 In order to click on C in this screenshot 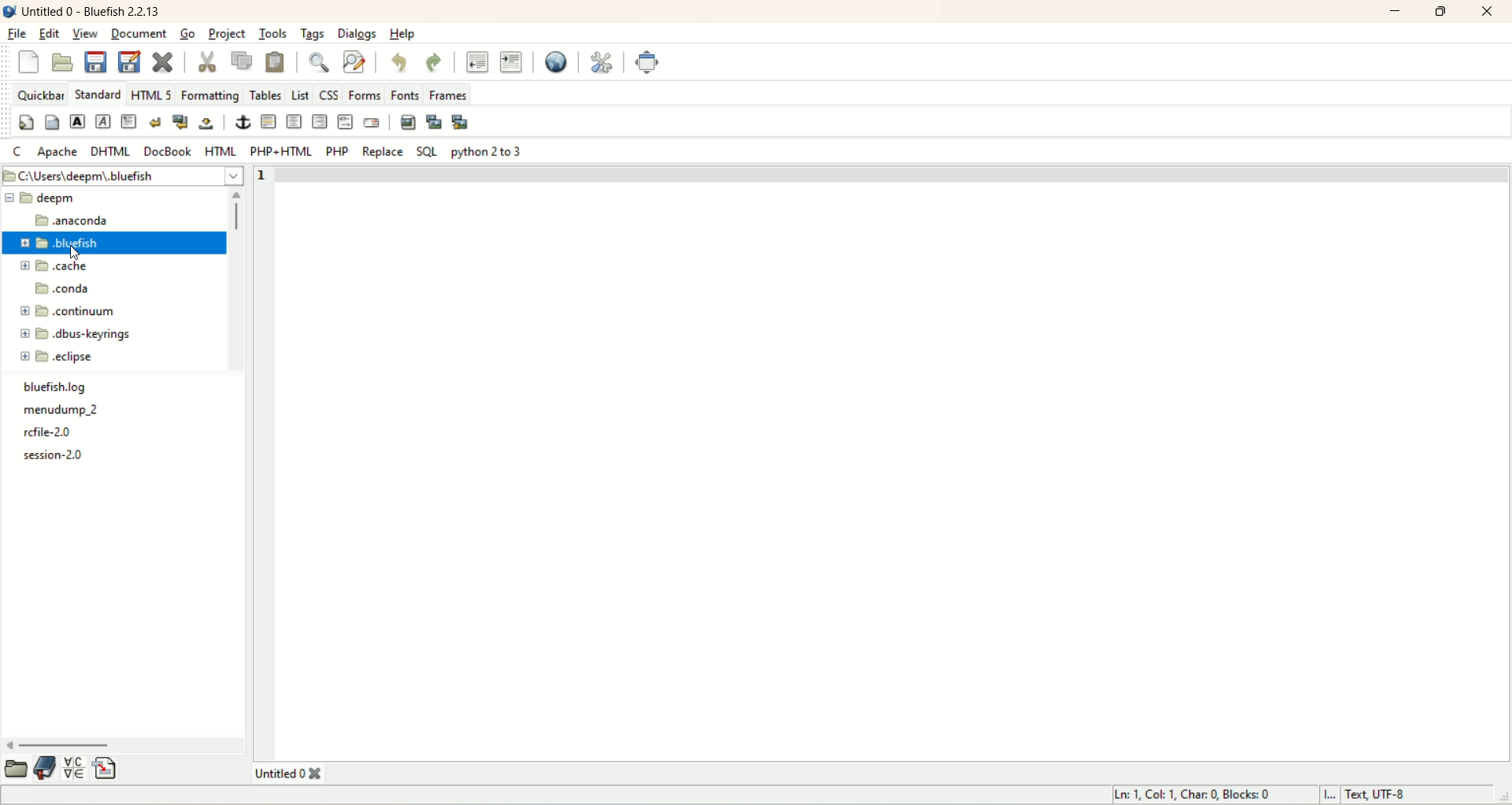, I will do `click(17, 153)`.